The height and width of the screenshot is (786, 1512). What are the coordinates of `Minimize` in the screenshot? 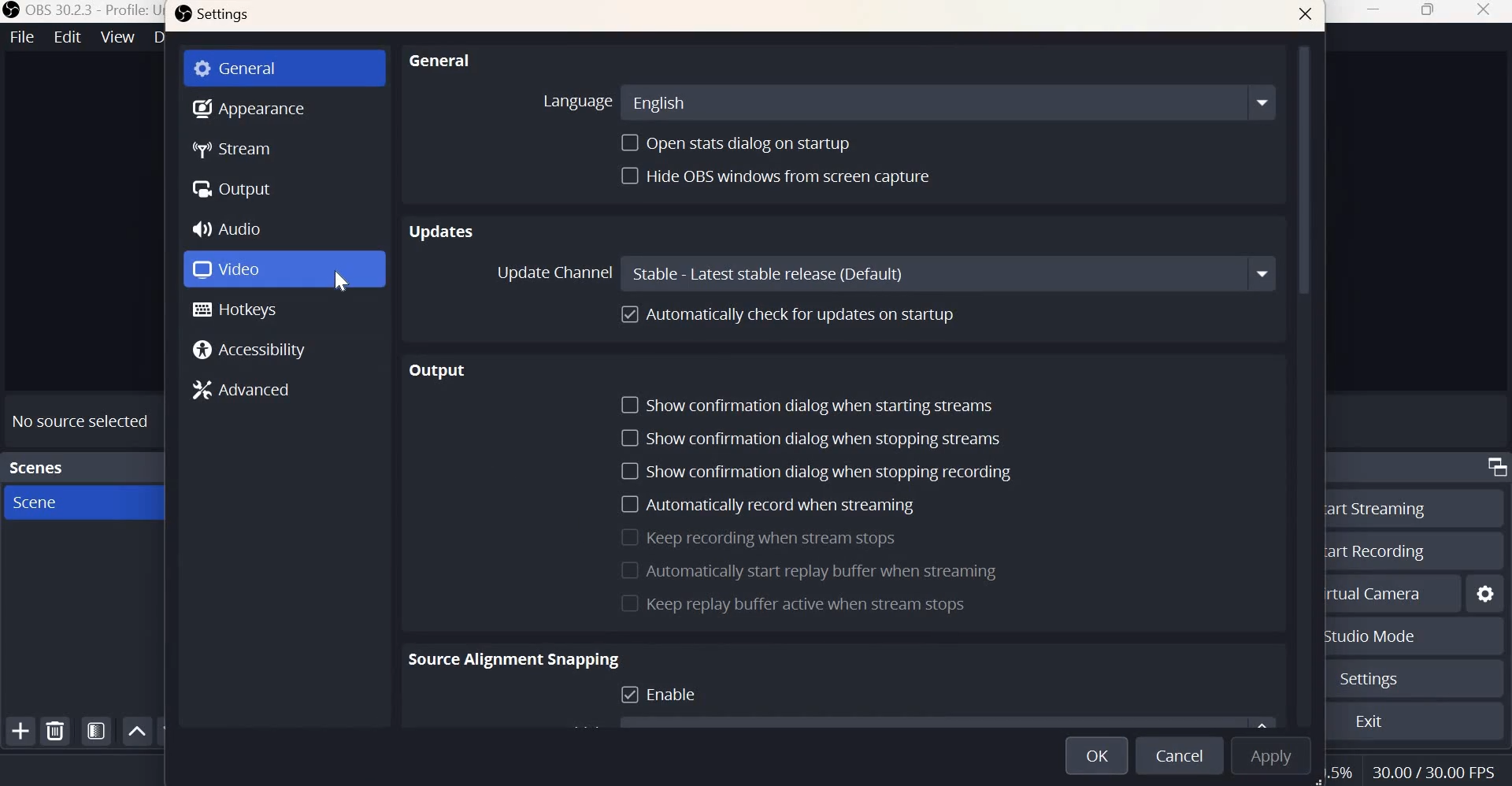 It's located at (1376, 13).